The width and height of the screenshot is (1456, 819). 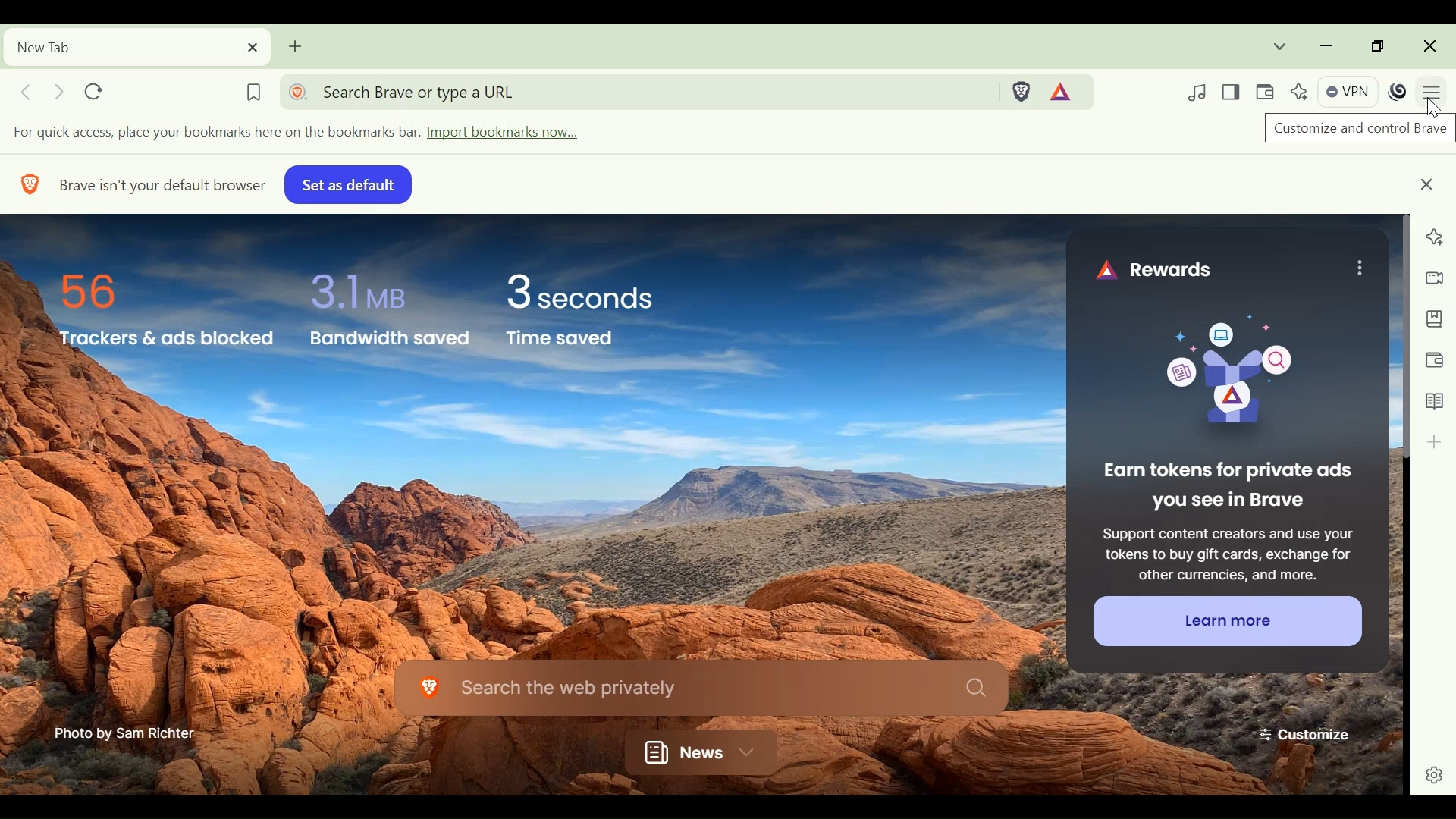 What do you see at coordinates (1431, 237) in the screenshot?
I see `Leo AI` at bounding box center [1431, 237].